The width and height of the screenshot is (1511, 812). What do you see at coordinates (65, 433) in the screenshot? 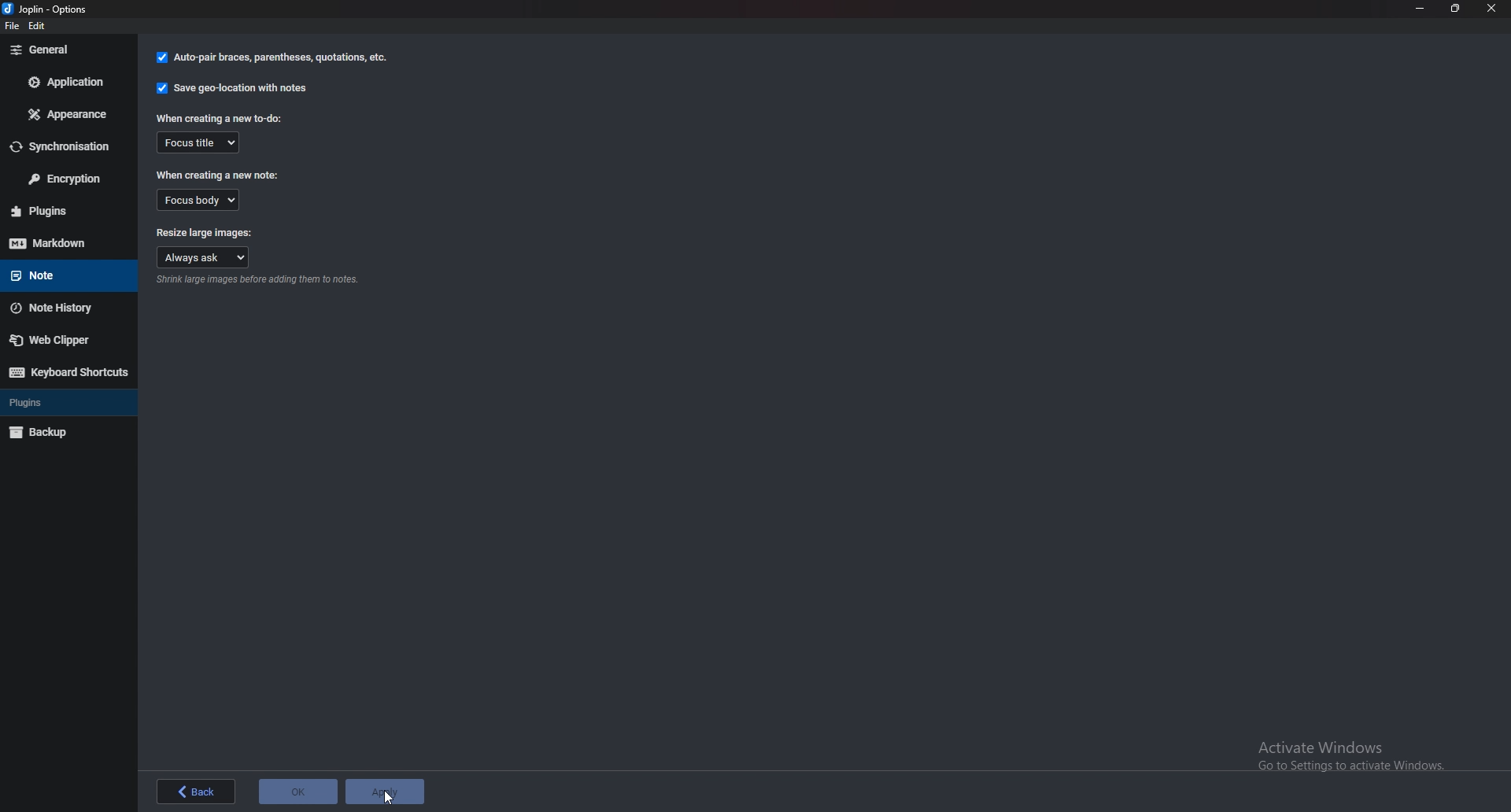
I see `Back up` at bounding box center [65, 433].